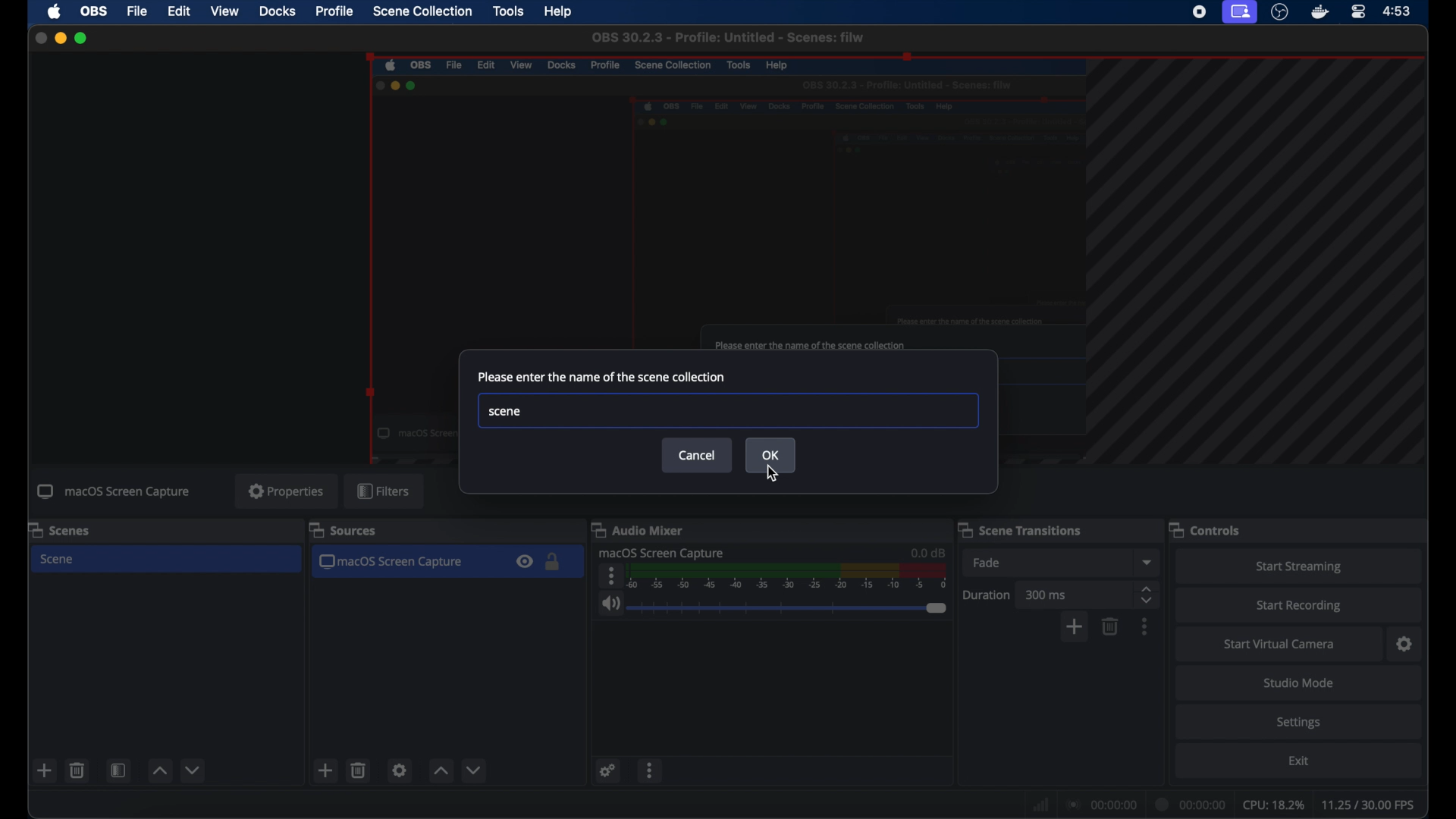 The image size is (1456, 819). I want to click on sources, so click(343, 531).